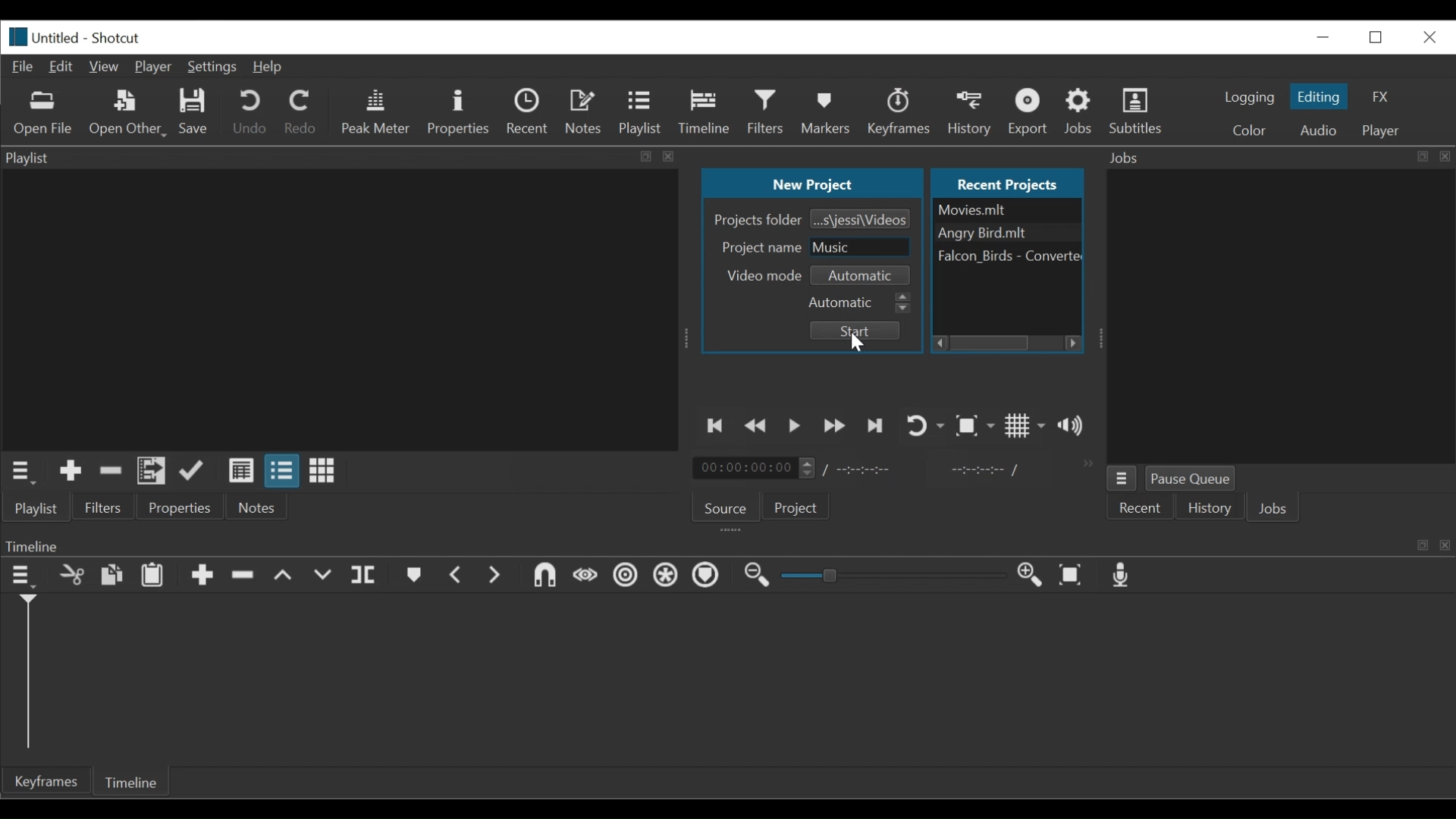 The width and height of the screenshot is (1456, 819). What do you see at coordinates (547, 575) in the screenshot?
I see `Snap` at bounding box center [547, 575].